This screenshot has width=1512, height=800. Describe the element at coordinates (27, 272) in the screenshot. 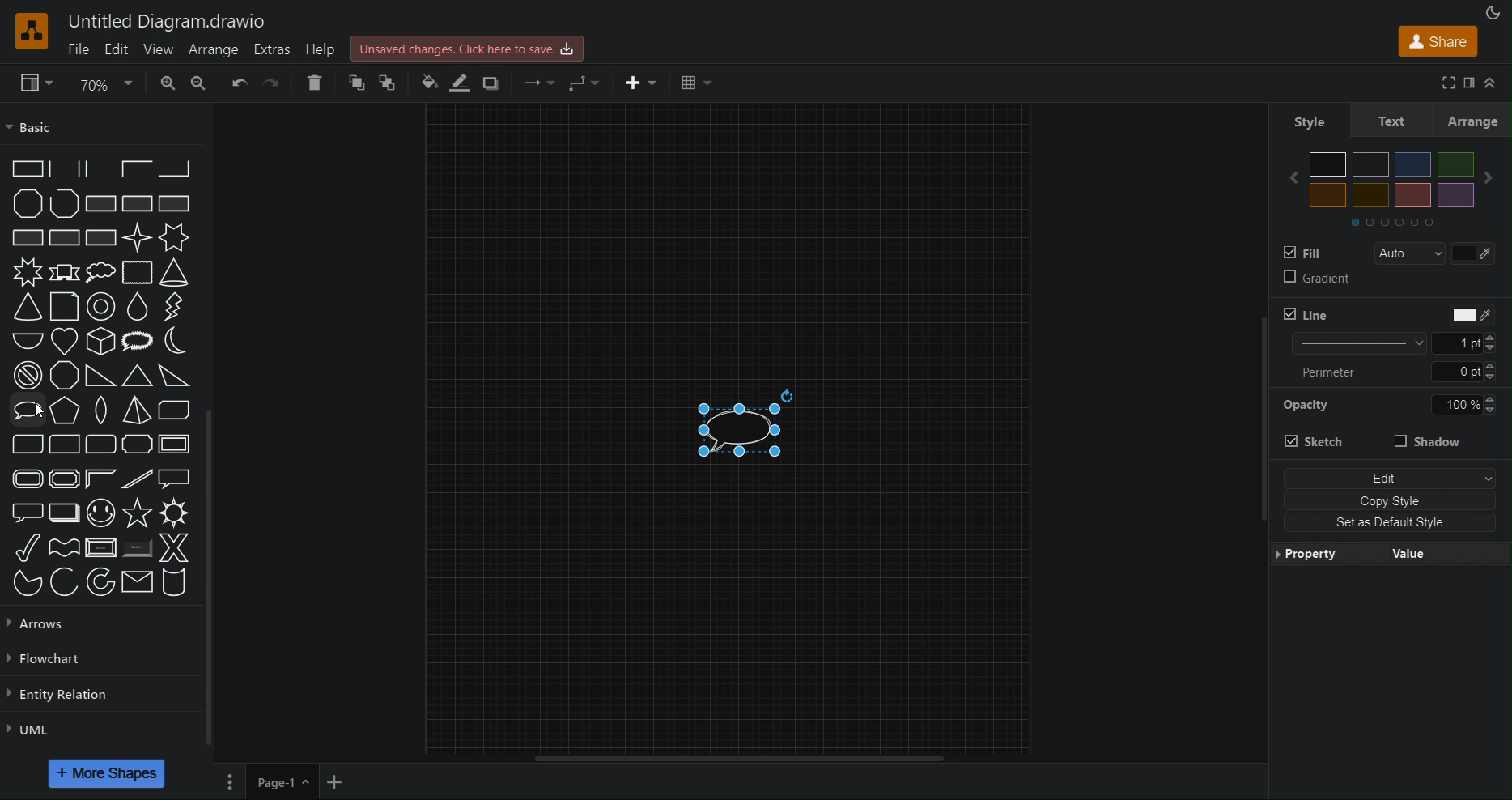

I see `8 Point Star` at that location.